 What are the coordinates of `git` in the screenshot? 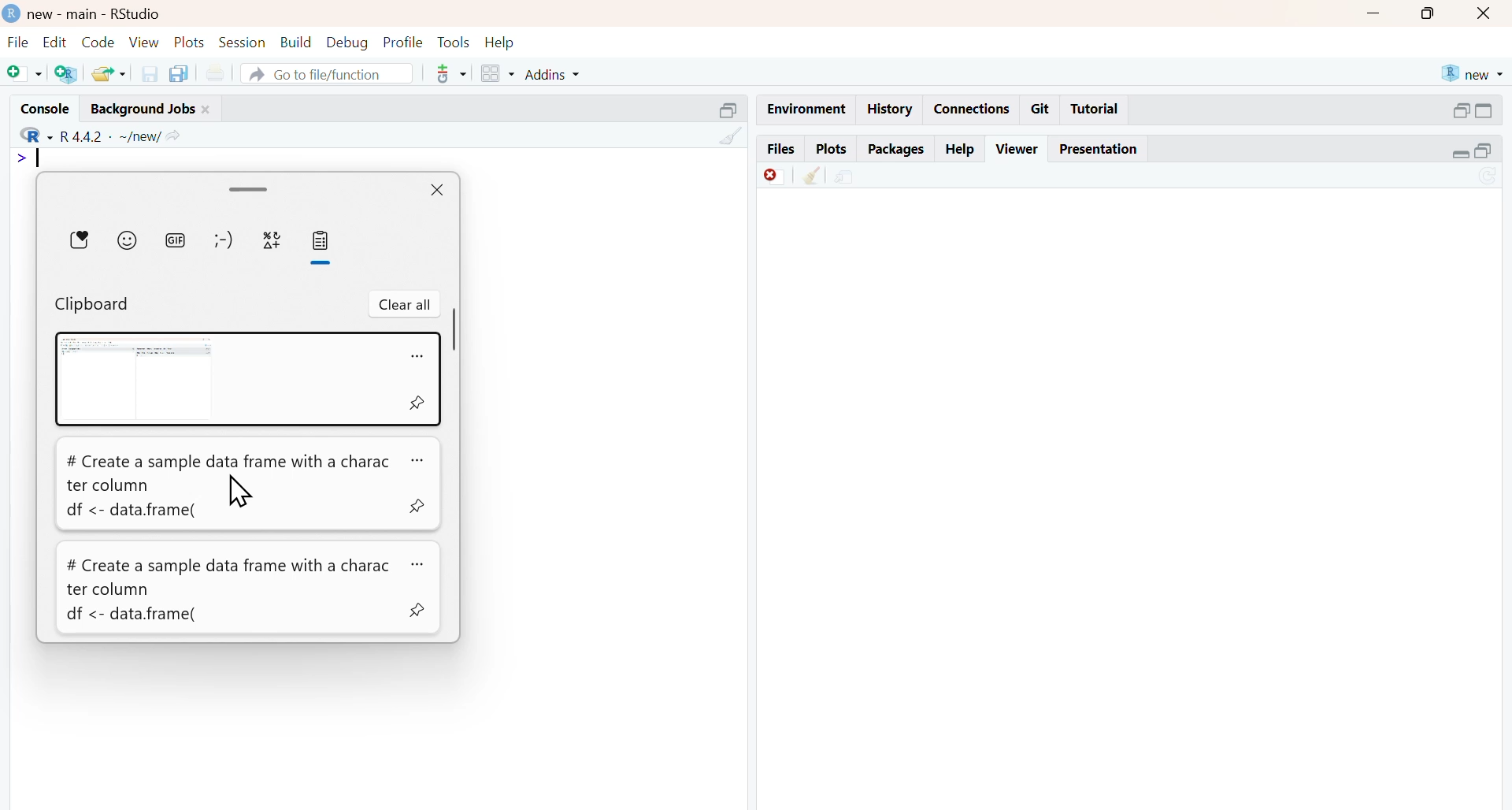 It's located at (1039, 109).